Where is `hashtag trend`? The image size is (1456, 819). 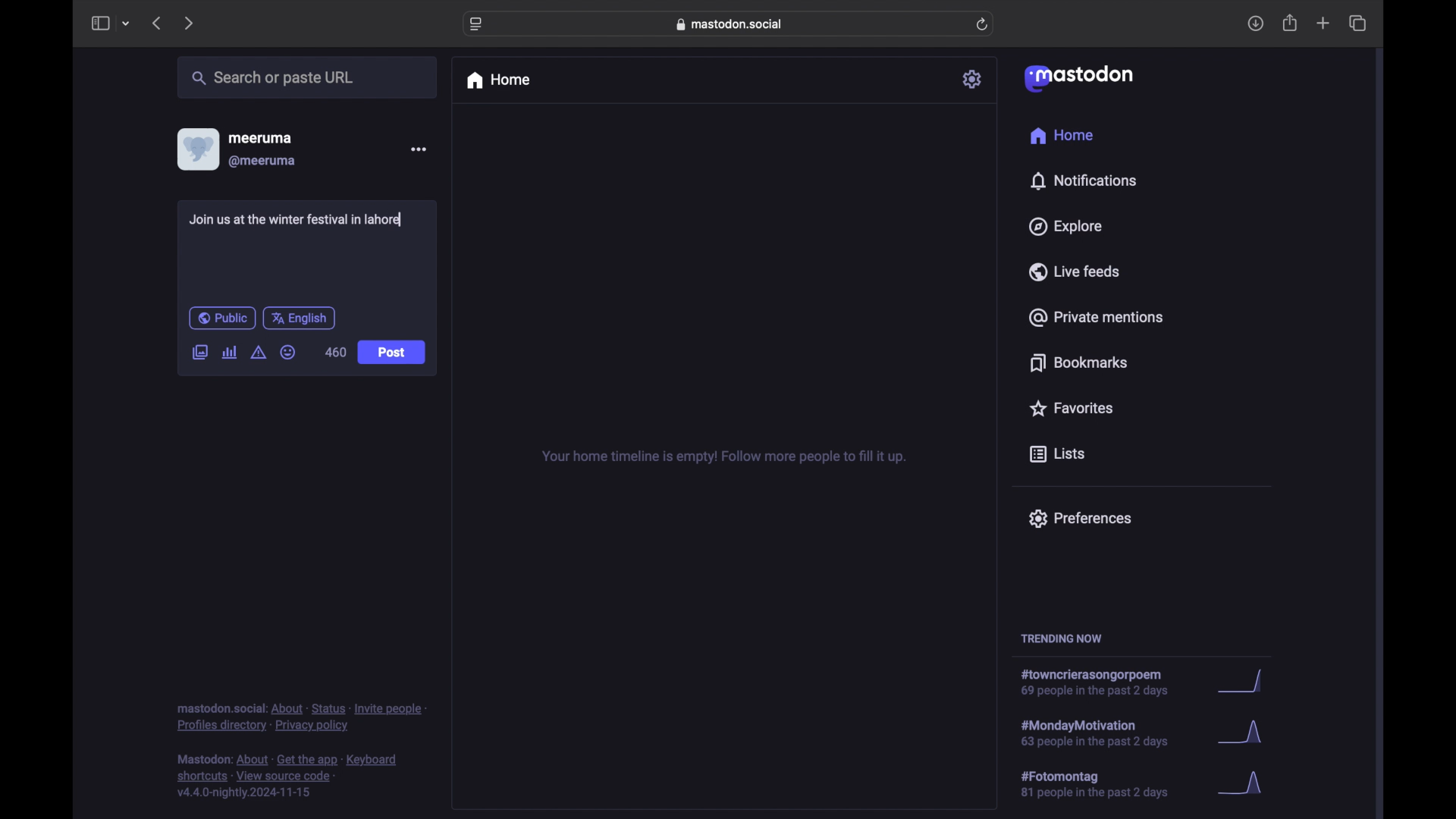 hashtag trend is located at coordinates (1103, 683).